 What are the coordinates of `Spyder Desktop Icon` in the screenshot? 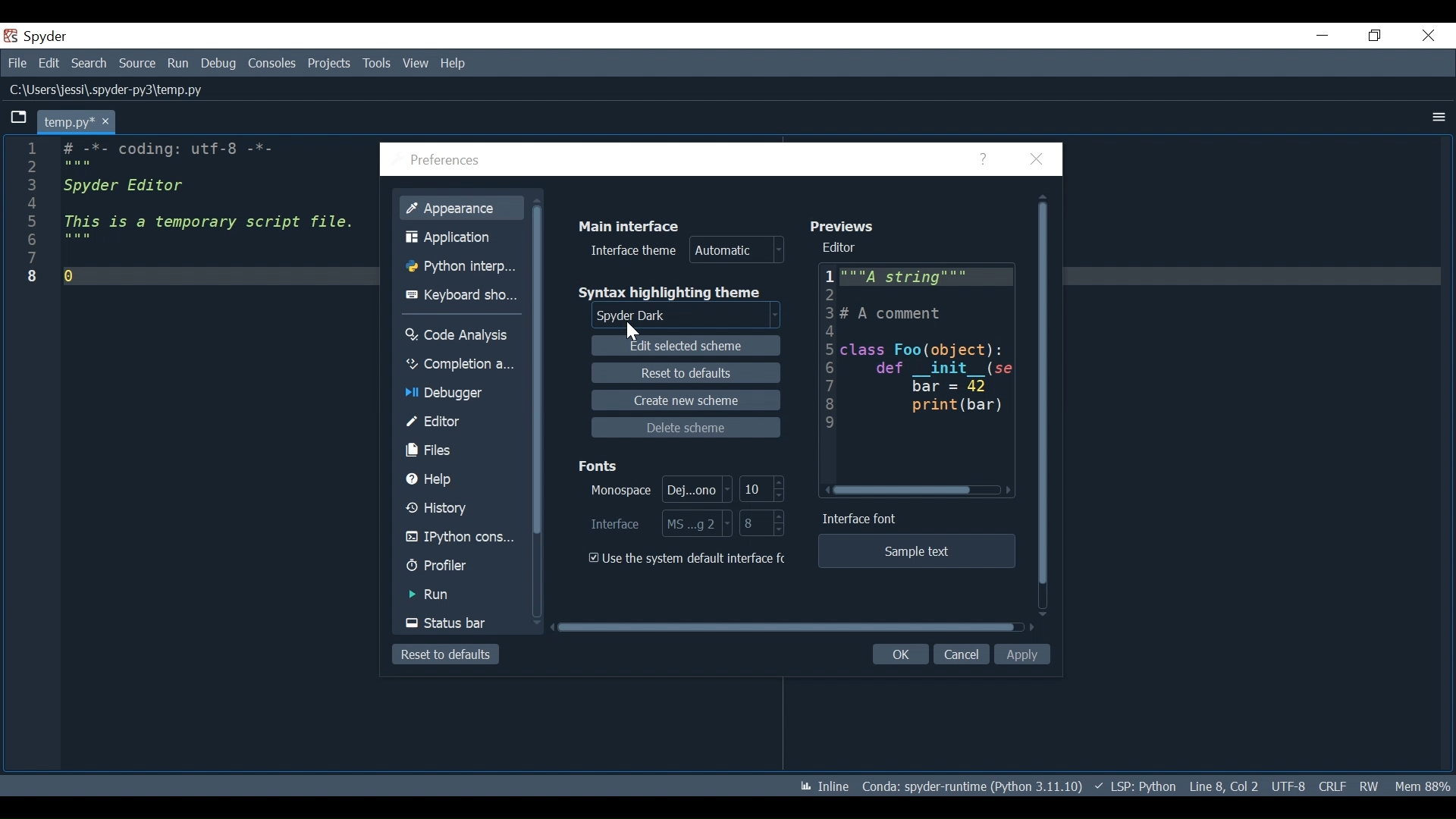 It's located at (39, 37).